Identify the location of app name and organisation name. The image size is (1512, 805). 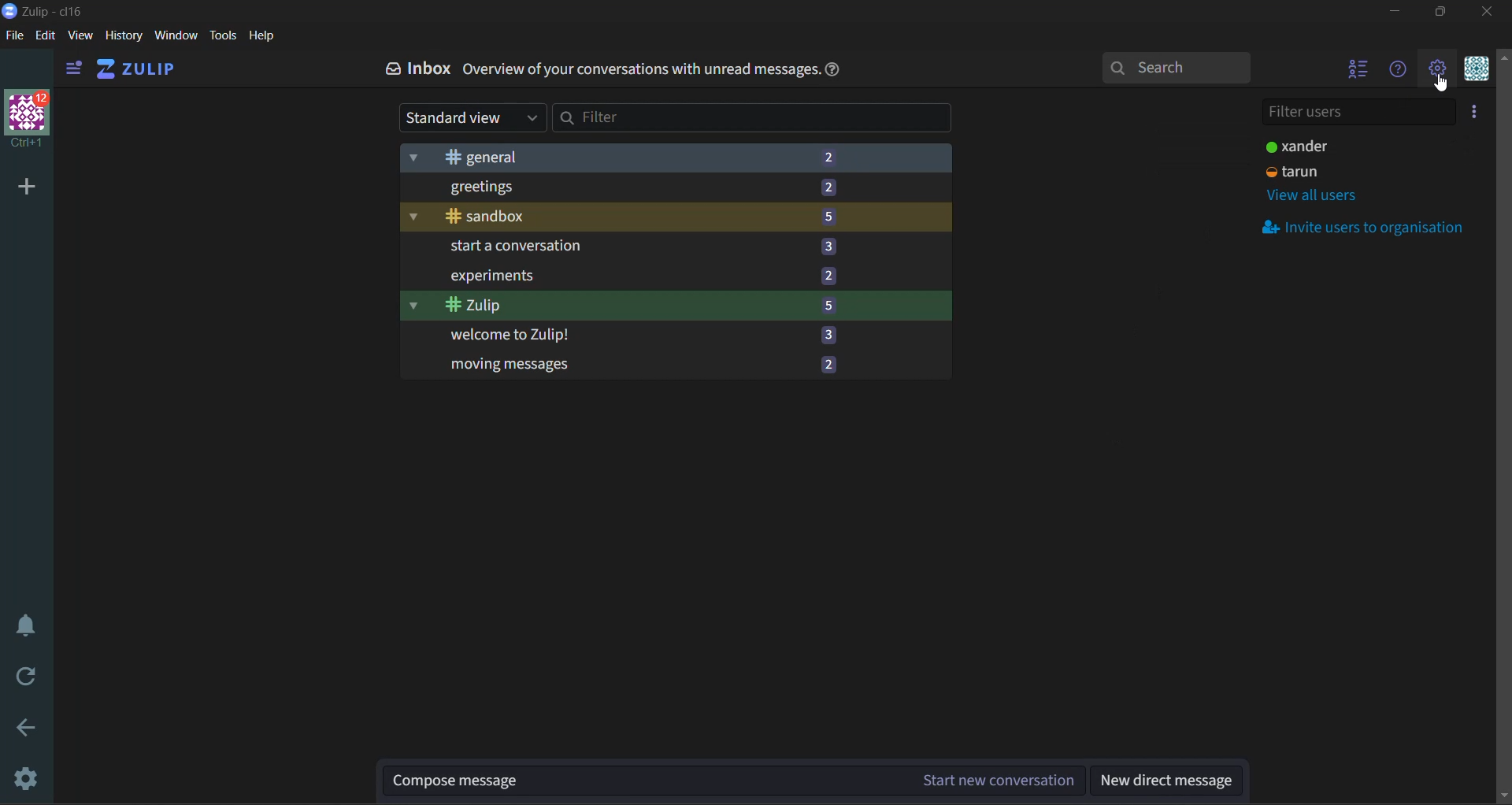
(46, 13).